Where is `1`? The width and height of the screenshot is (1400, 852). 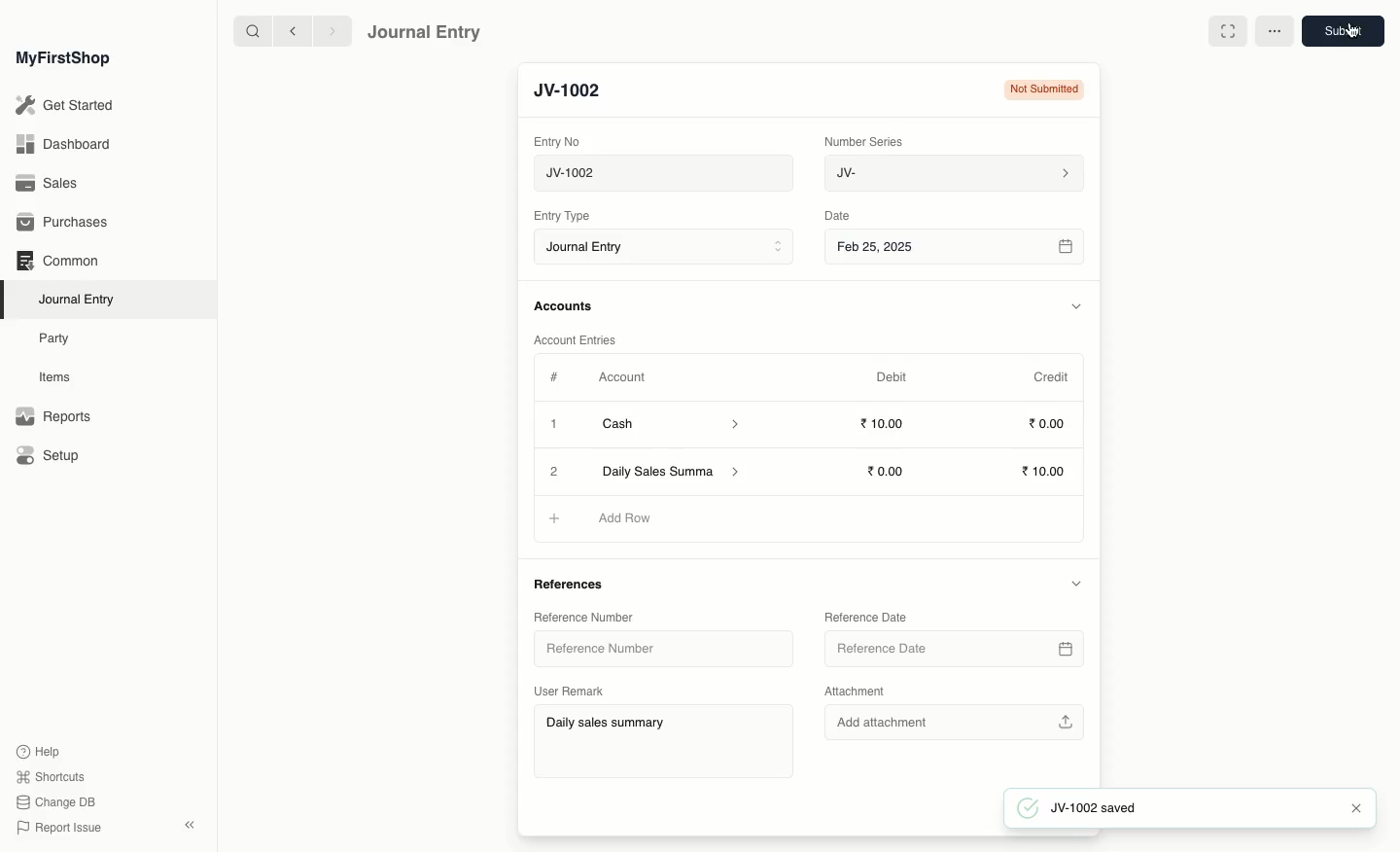
1 is located at coordinates (556, 426).